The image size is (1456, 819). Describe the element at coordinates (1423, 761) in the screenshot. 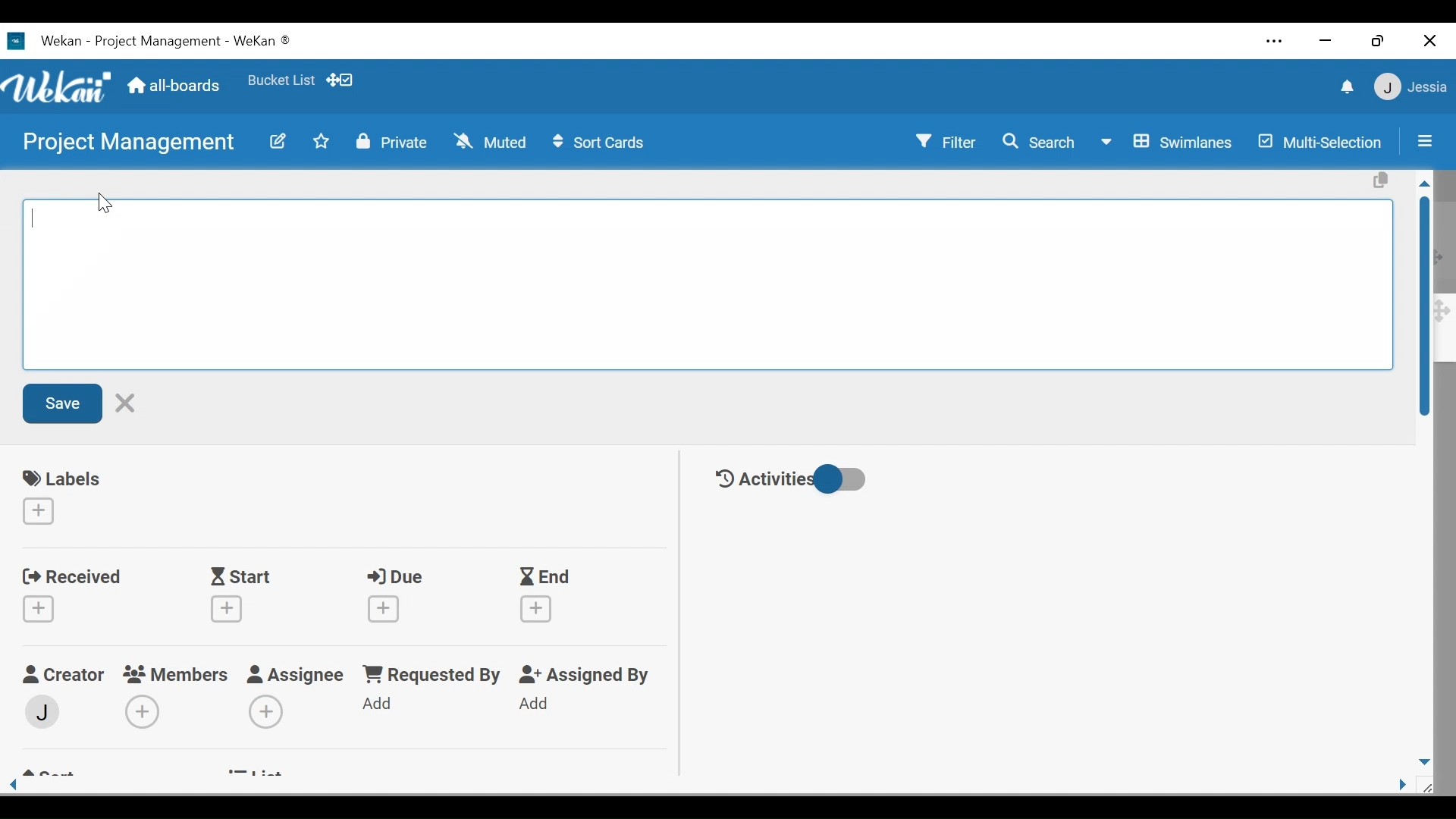

I see `Scroll down` at that location.